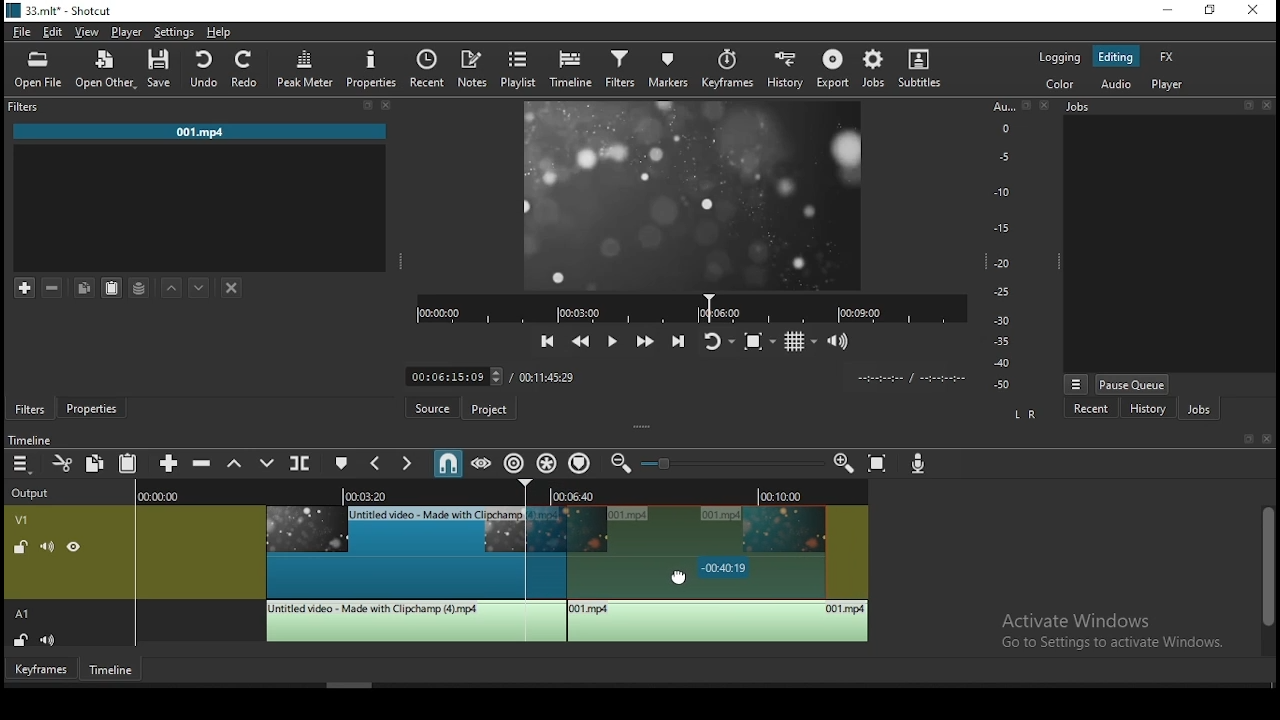 This screenshot has height=720, width=1280. What do you see at coordinates (303, 466) in the screenshot?
I see `split at playhead` at bounding box center [303, 466].